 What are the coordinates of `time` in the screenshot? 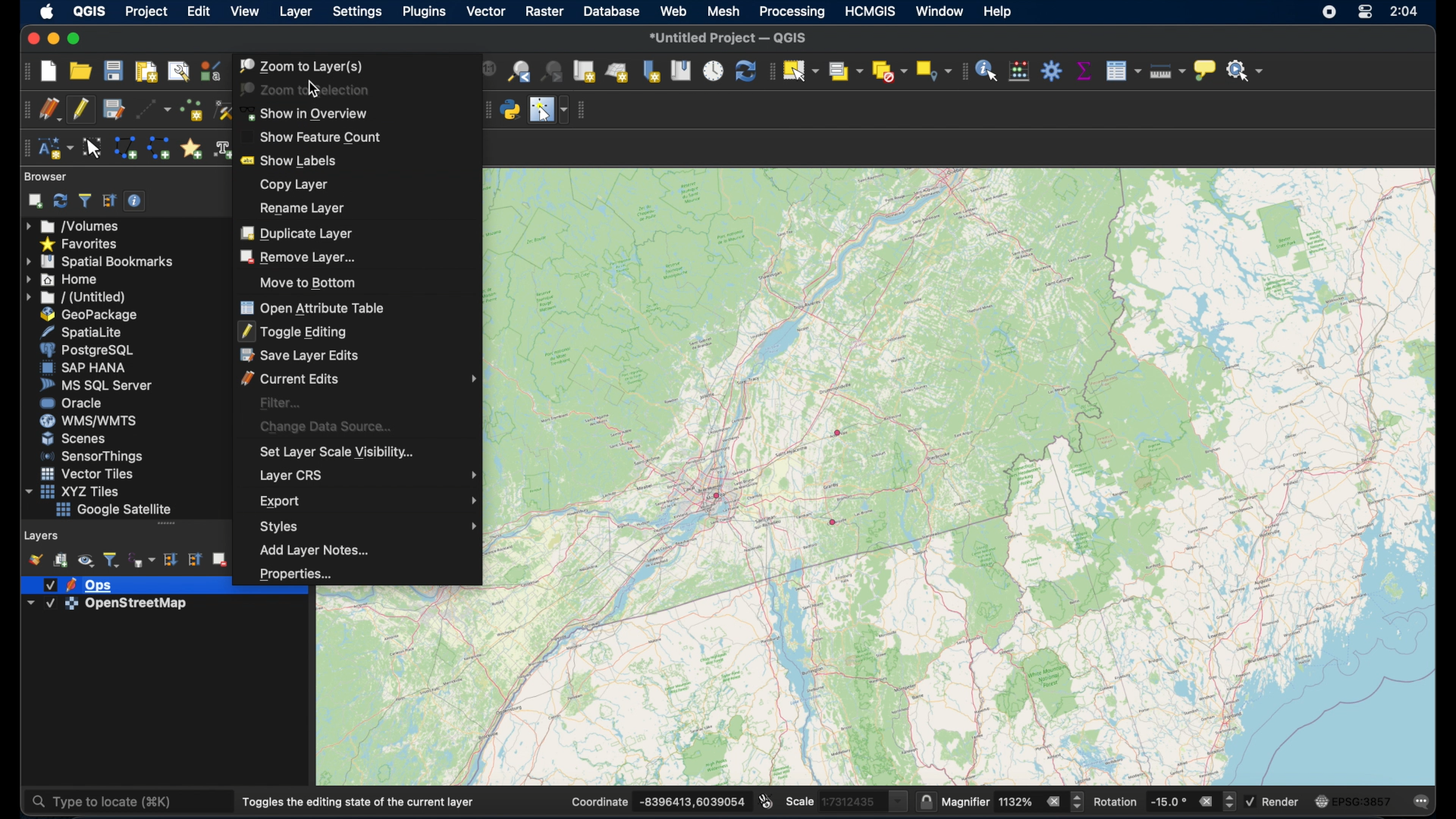 It's located at (1403, 11).